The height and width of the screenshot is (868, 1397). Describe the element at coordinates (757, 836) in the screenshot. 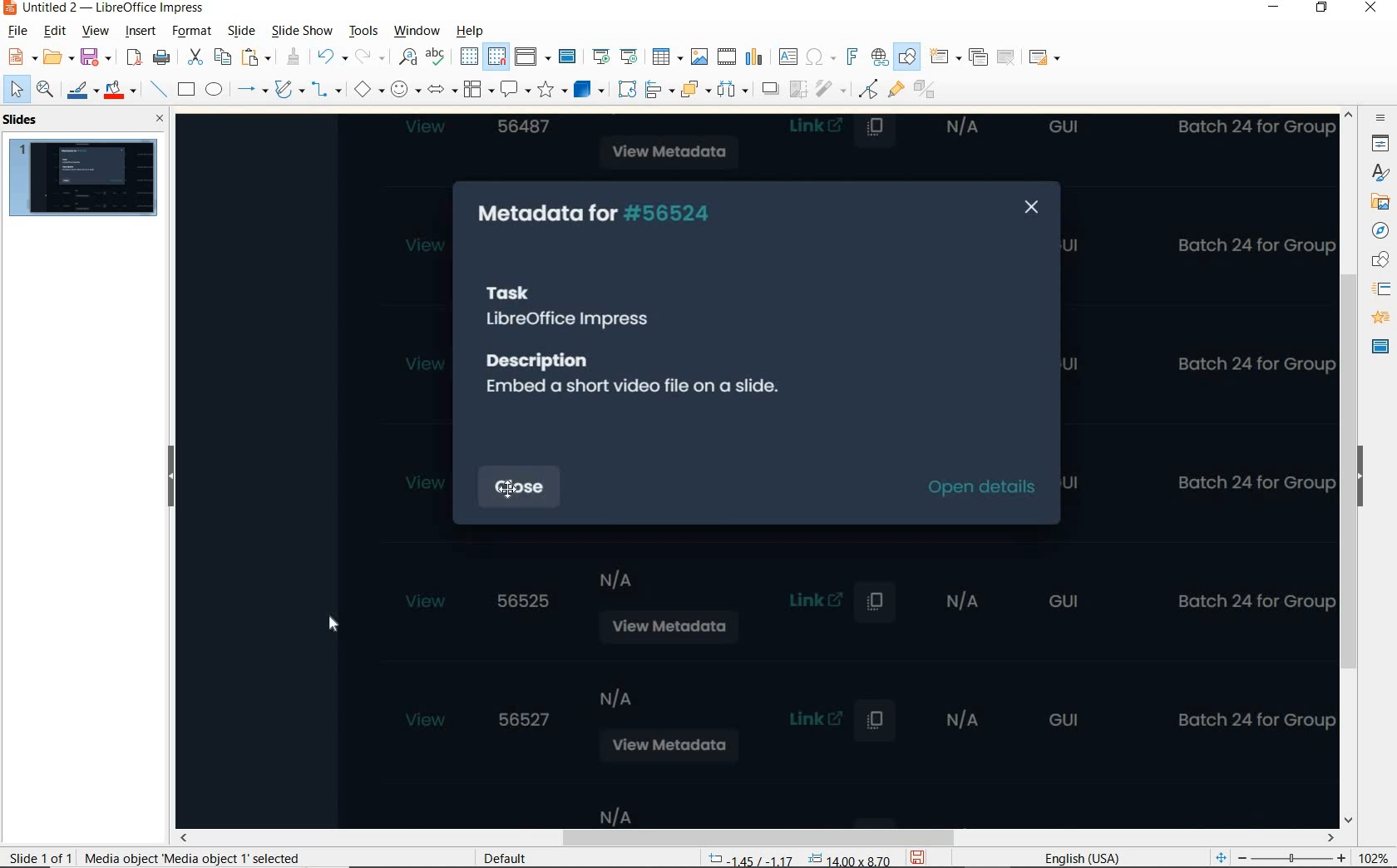

I see `SCROLL BAR` at that location.